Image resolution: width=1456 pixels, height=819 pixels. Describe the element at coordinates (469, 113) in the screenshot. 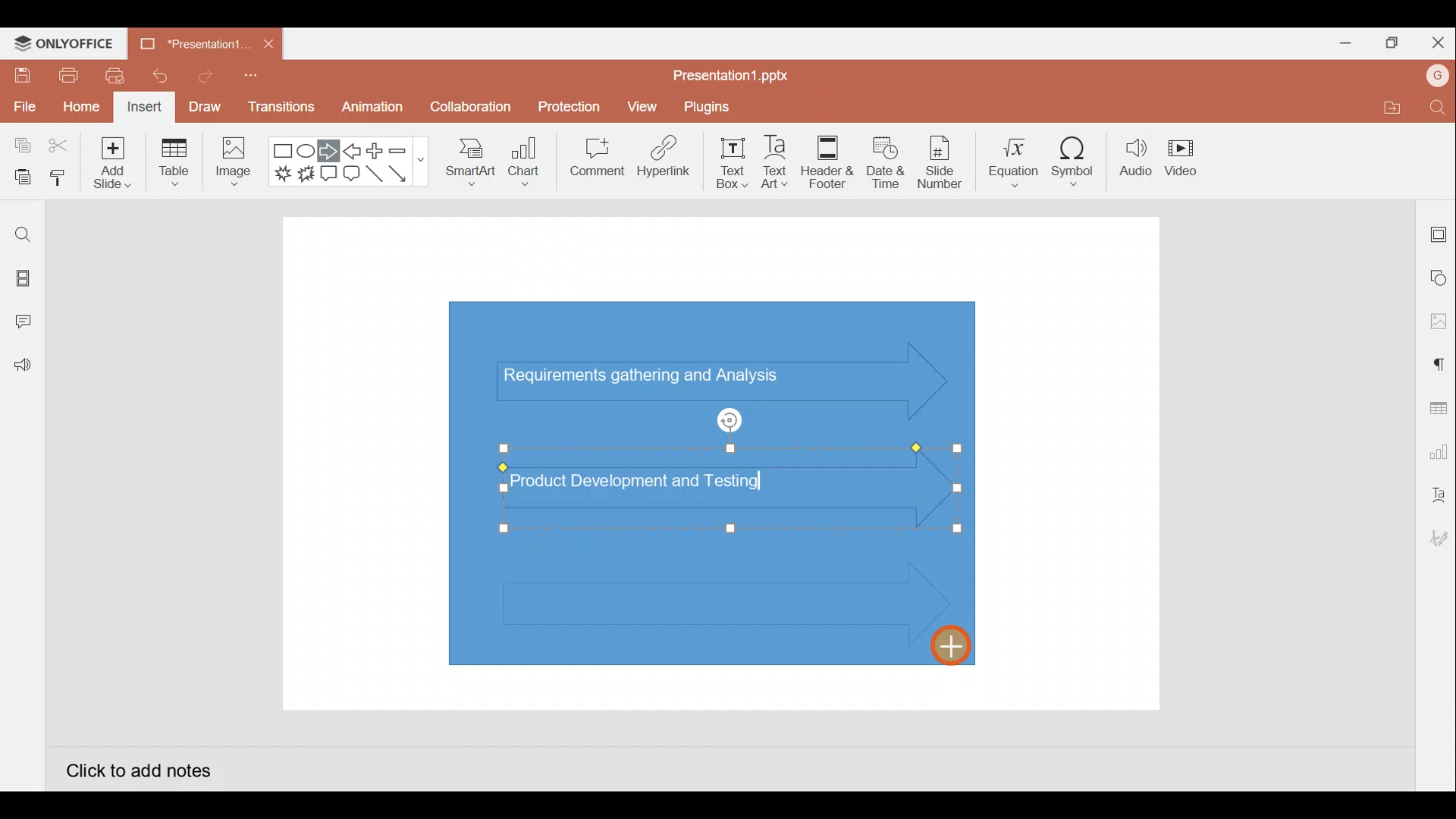

I see `Collaboration` at that location.